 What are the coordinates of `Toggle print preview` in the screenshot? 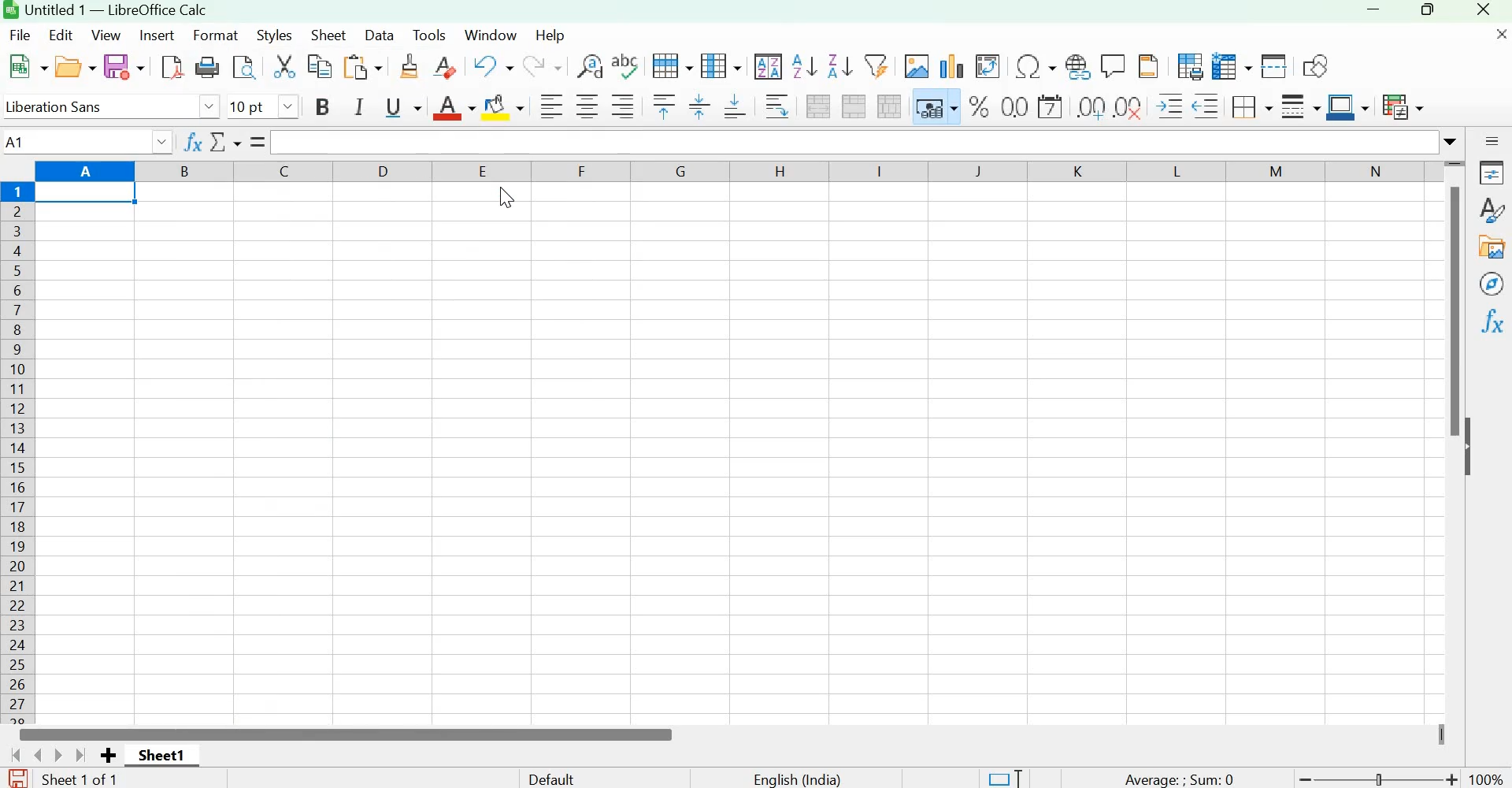 It's located at (246, 68).